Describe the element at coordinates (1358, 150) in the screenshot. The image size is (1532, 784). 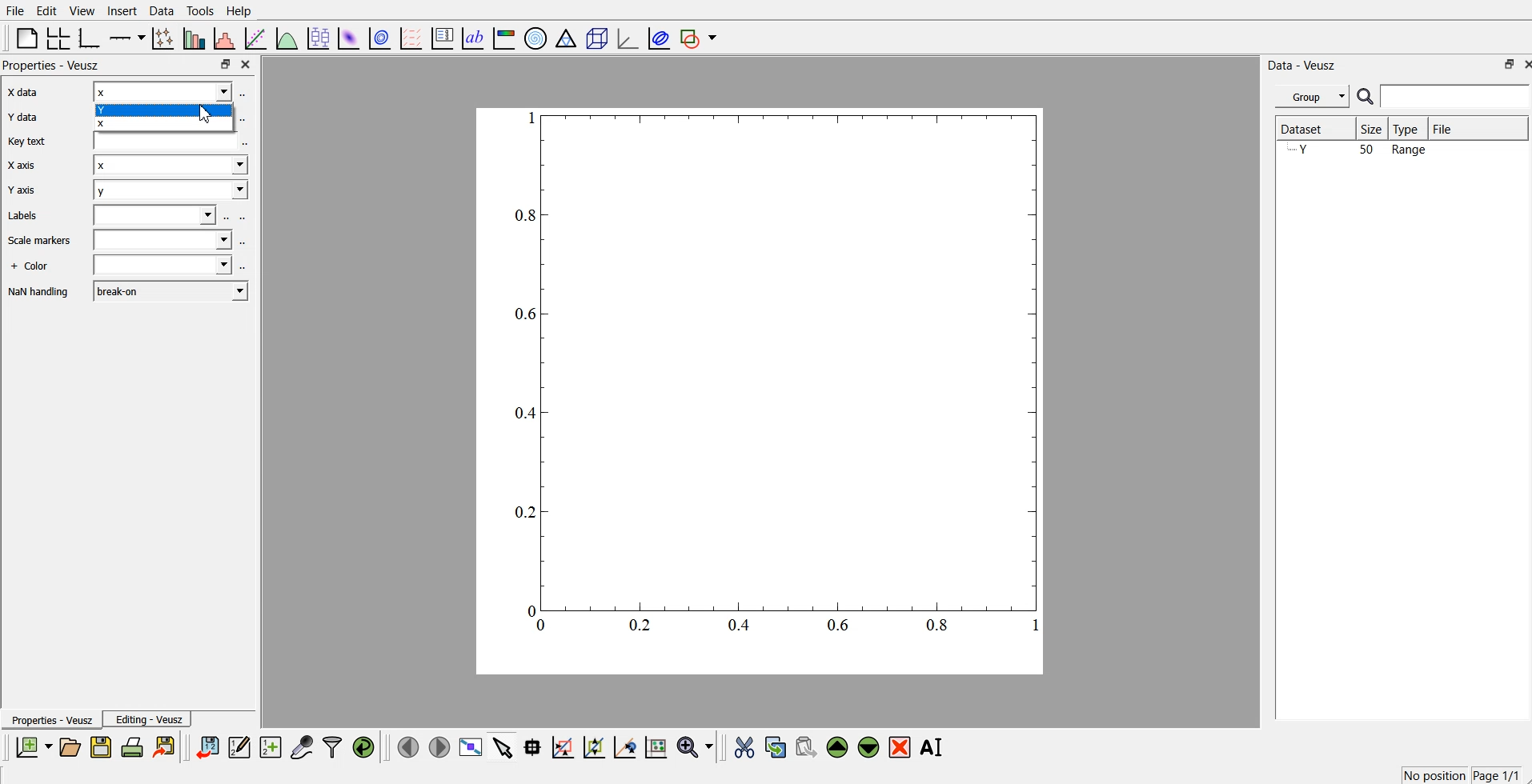
I see `Y 50 Range` at that location.